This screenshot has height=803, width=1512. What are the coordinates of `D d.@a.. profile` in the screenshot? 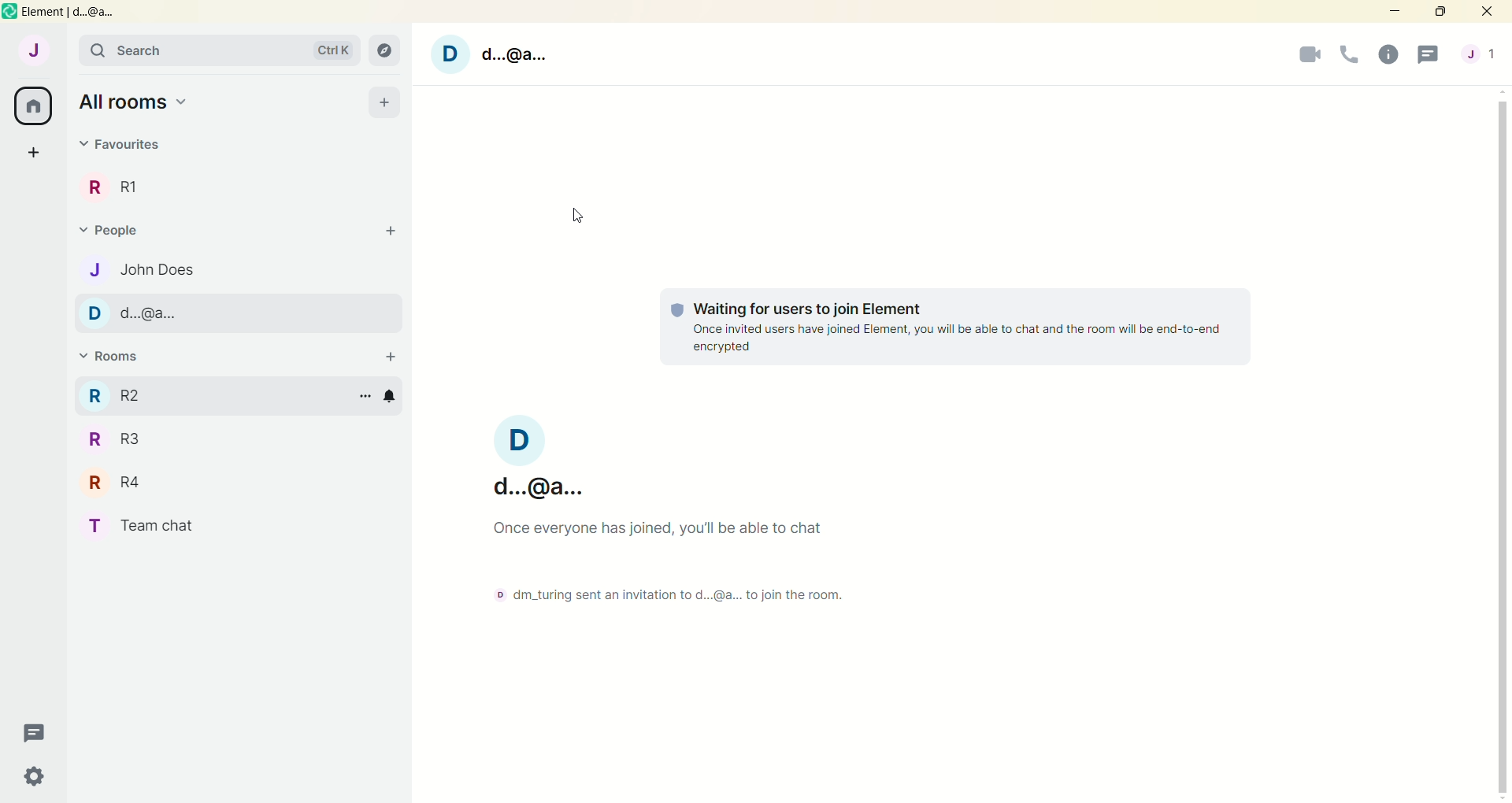 It's located at (496, 53).